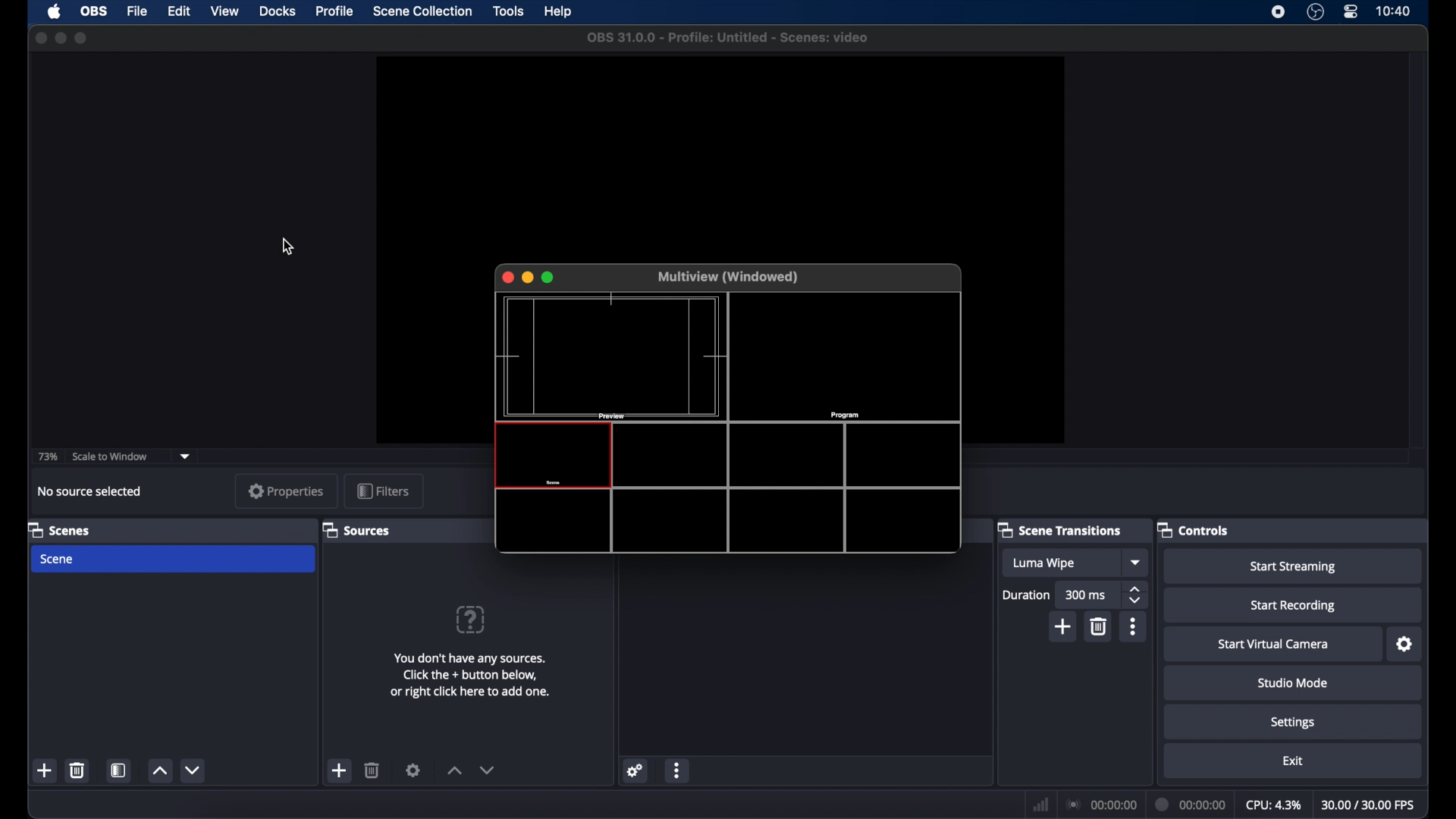 The height and width of the screenshot is (819, 1456). Describe the element at coordinates (93, 12) in the screenshot. I see `obs` at that location.